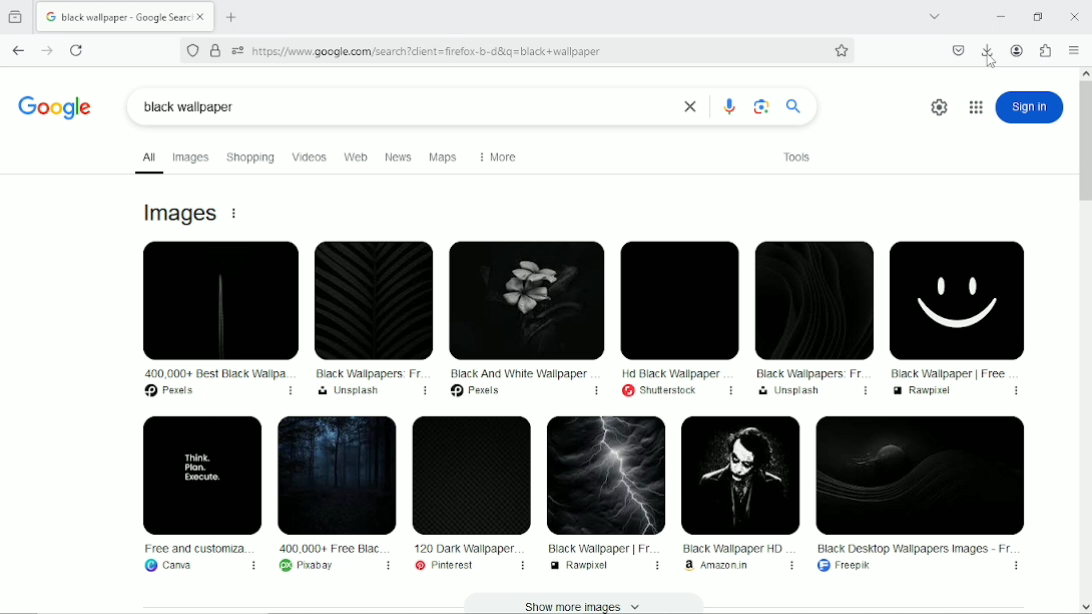  I want to click on Go forward, so click(47, 49).